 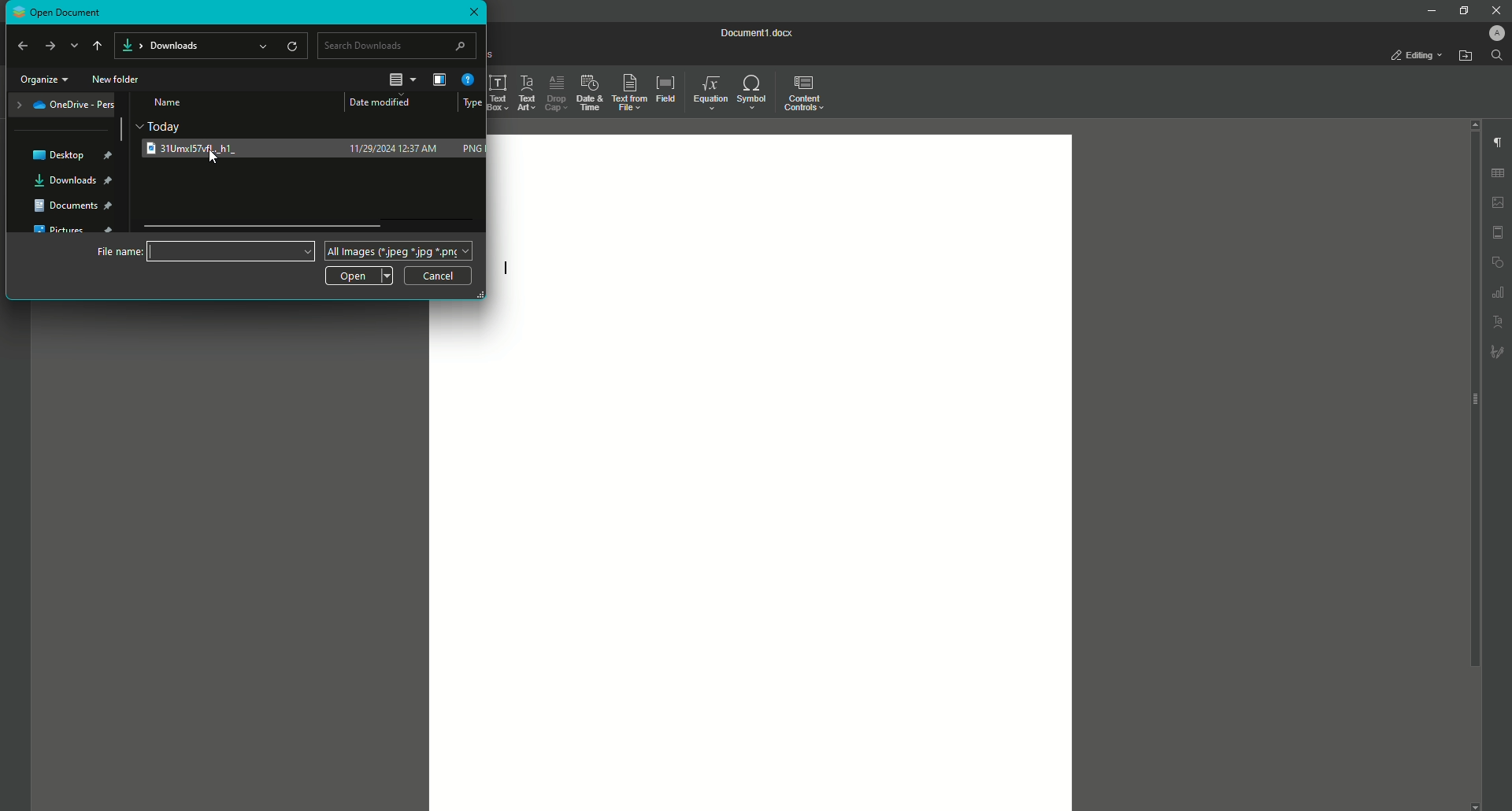 What do you see at coordinates (170, 102) in the screenshot?
I see `Name` at bounding box center [170, 102].